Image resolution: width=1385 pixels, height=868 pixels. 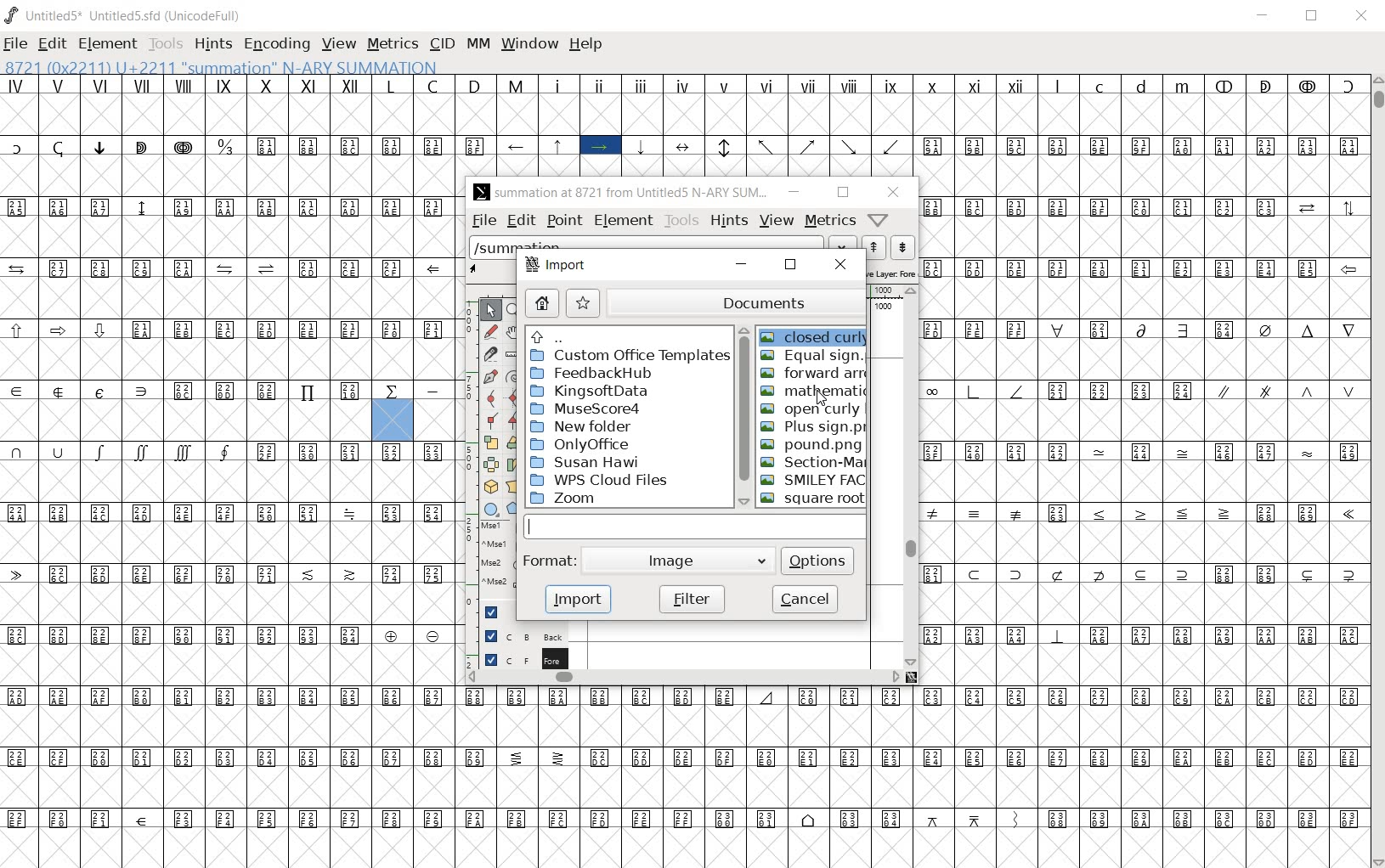 I want to click on closed curly, so click(x=814, y=337).